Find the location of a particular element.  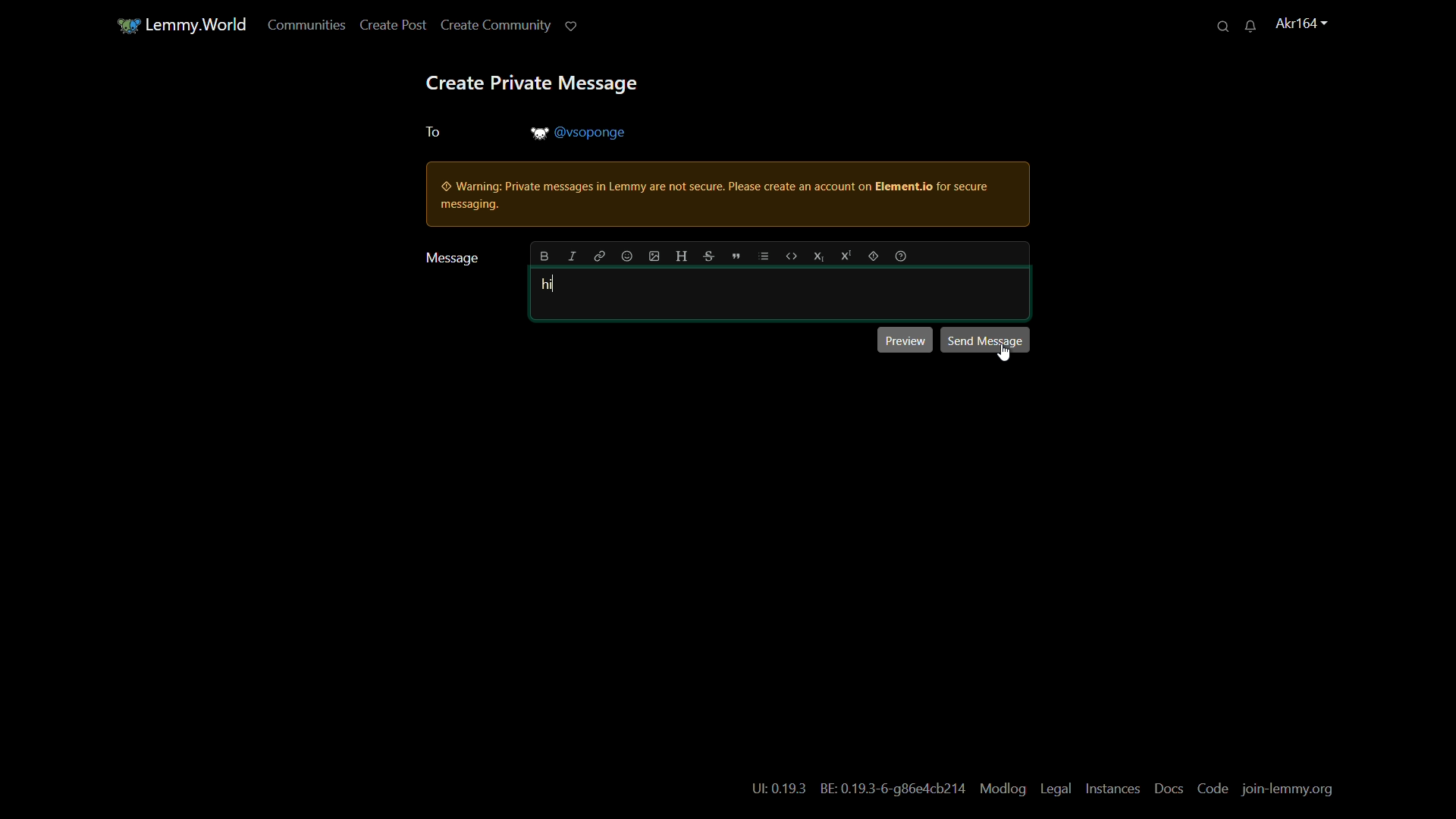

instances is located at coordinates (1112, 789).